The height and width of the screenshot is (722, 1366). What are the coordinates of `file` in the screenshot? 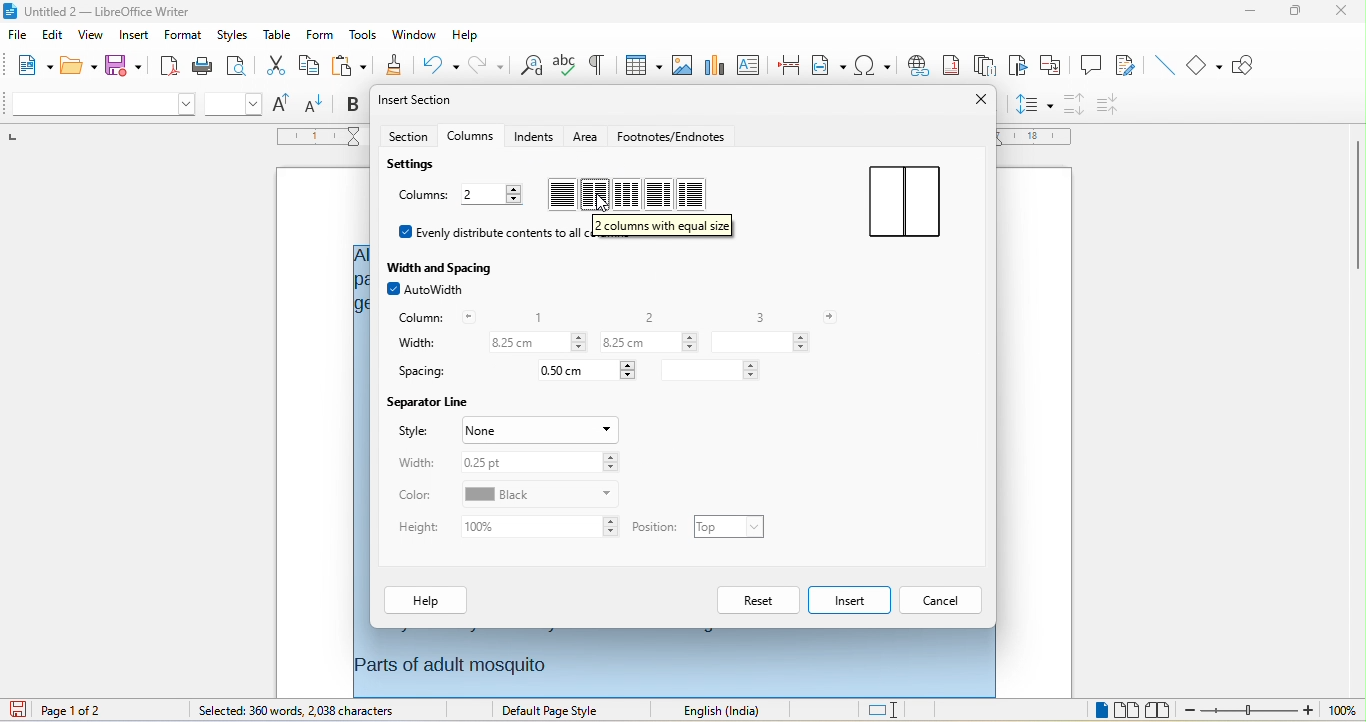 It's located at (17, 36).